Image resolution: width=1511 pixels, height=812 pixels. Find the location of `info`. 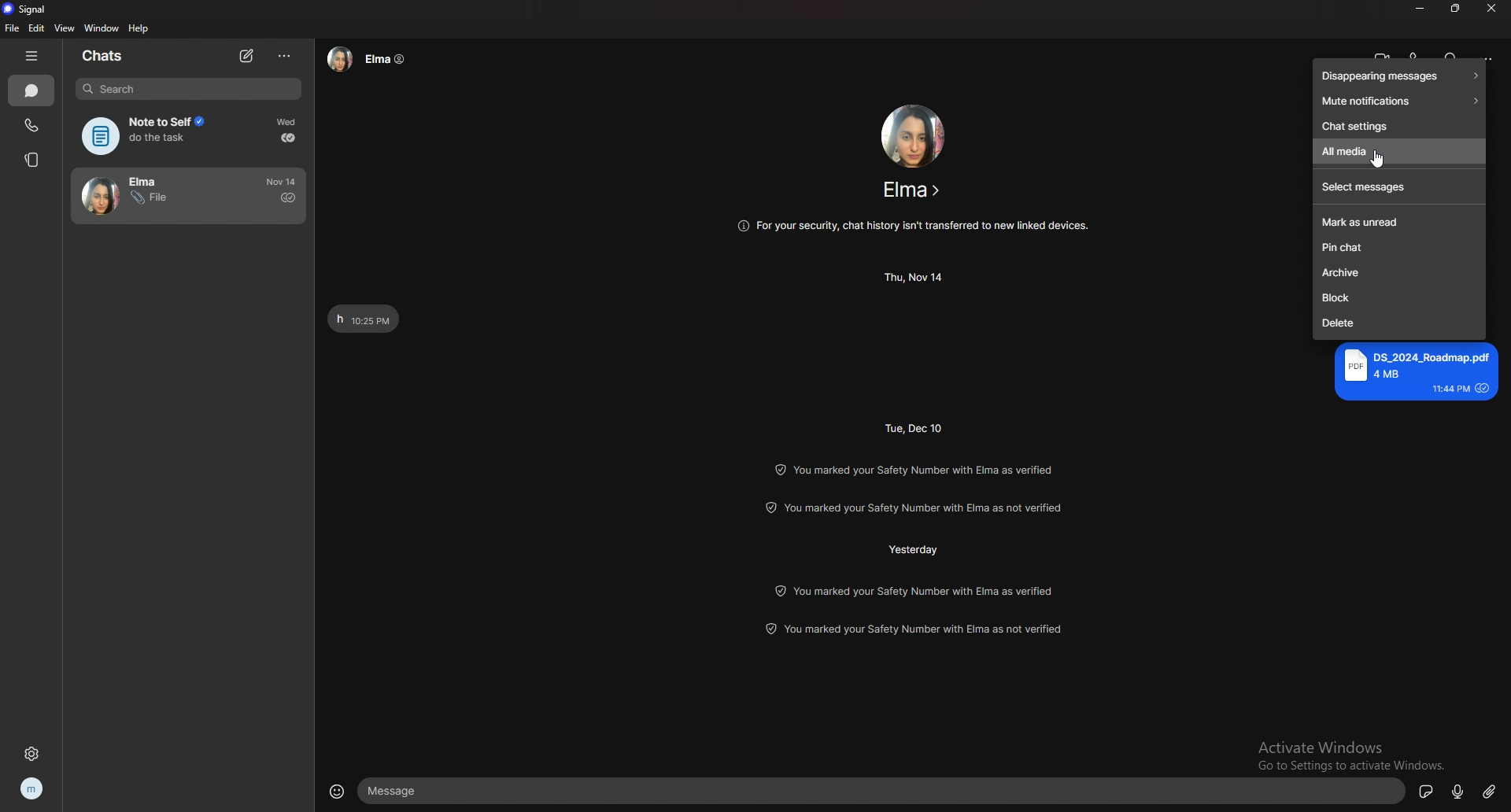

info is located at coordinates (916, 509).